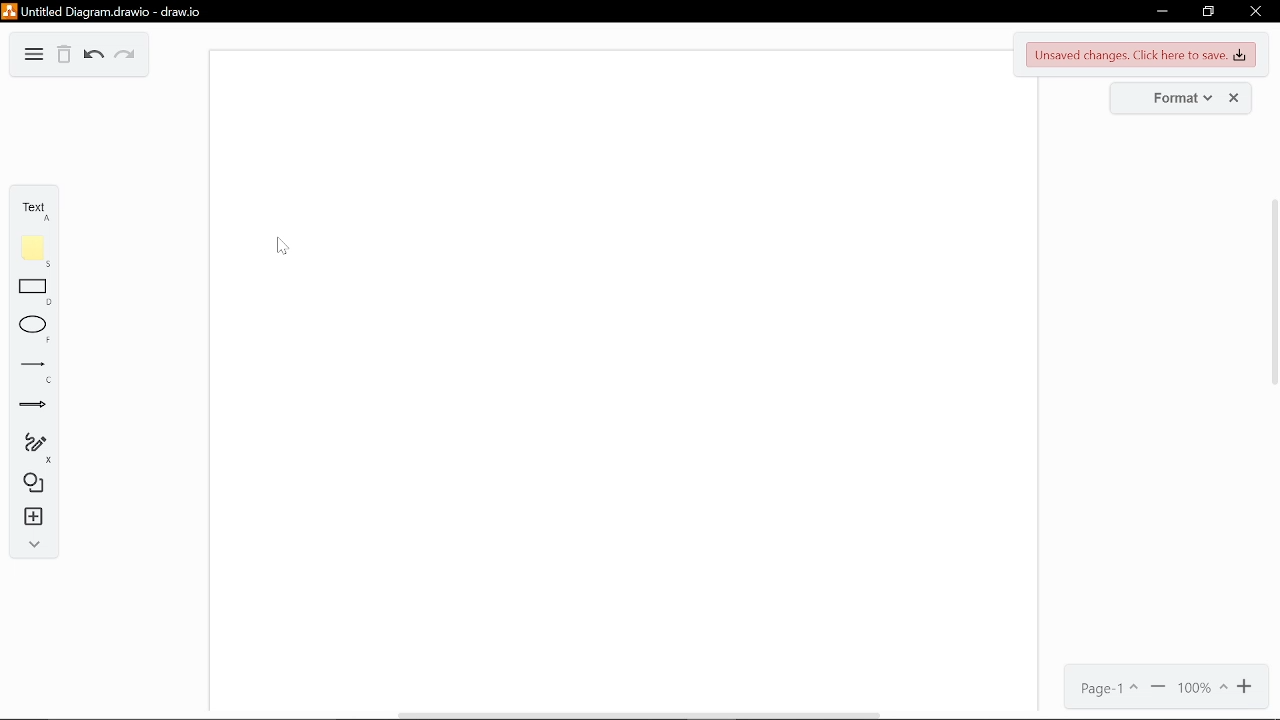 Image resolution: width=1280 pixels, height=720 pixels. Describe the element at coordinates (32, 371) in the screenshot. I see `lines` at that location.